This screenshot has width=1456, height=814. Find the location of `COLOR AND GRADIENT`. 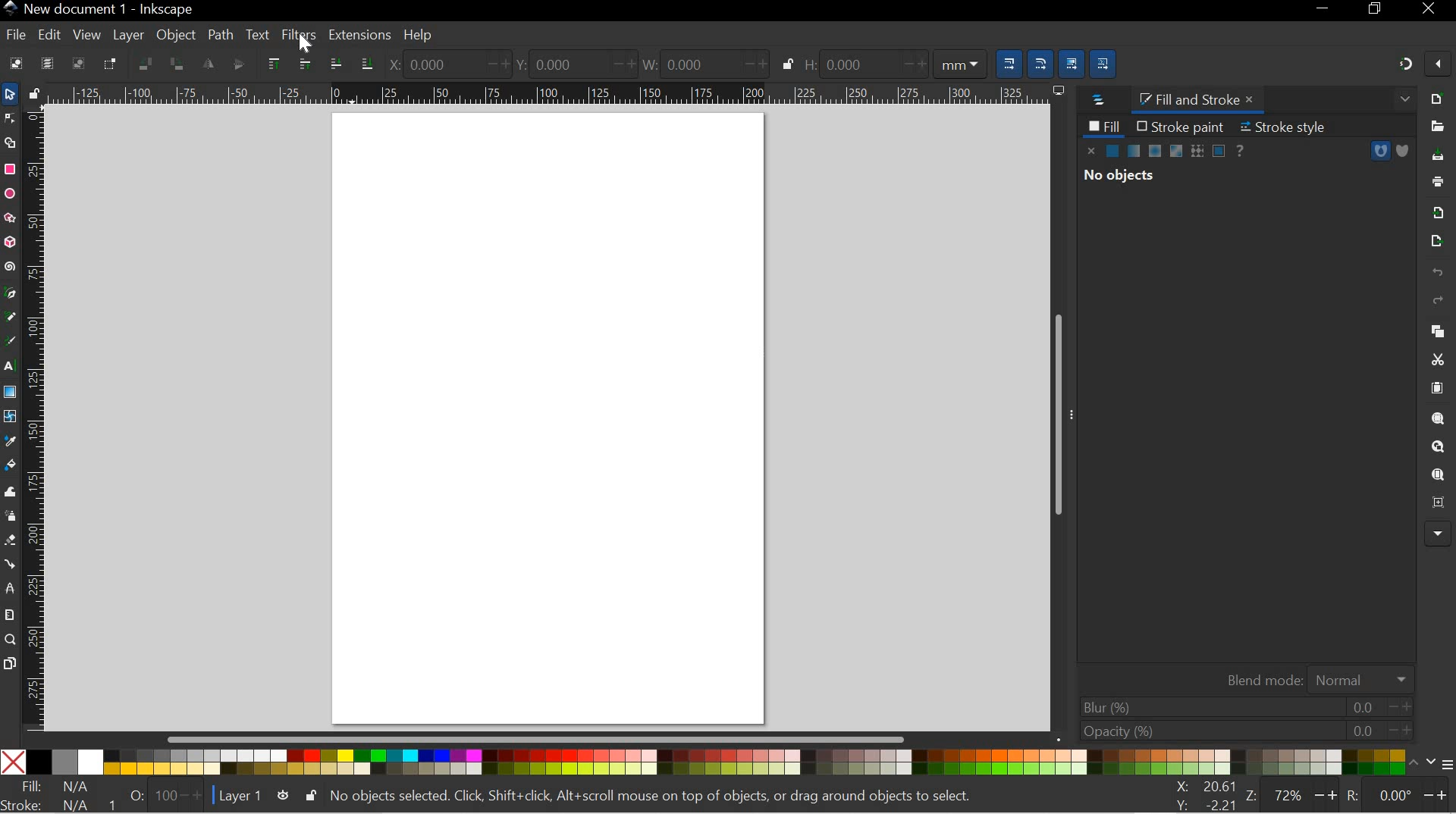

COLOR AND GRADIENT is located at coordinates (1166, 152).